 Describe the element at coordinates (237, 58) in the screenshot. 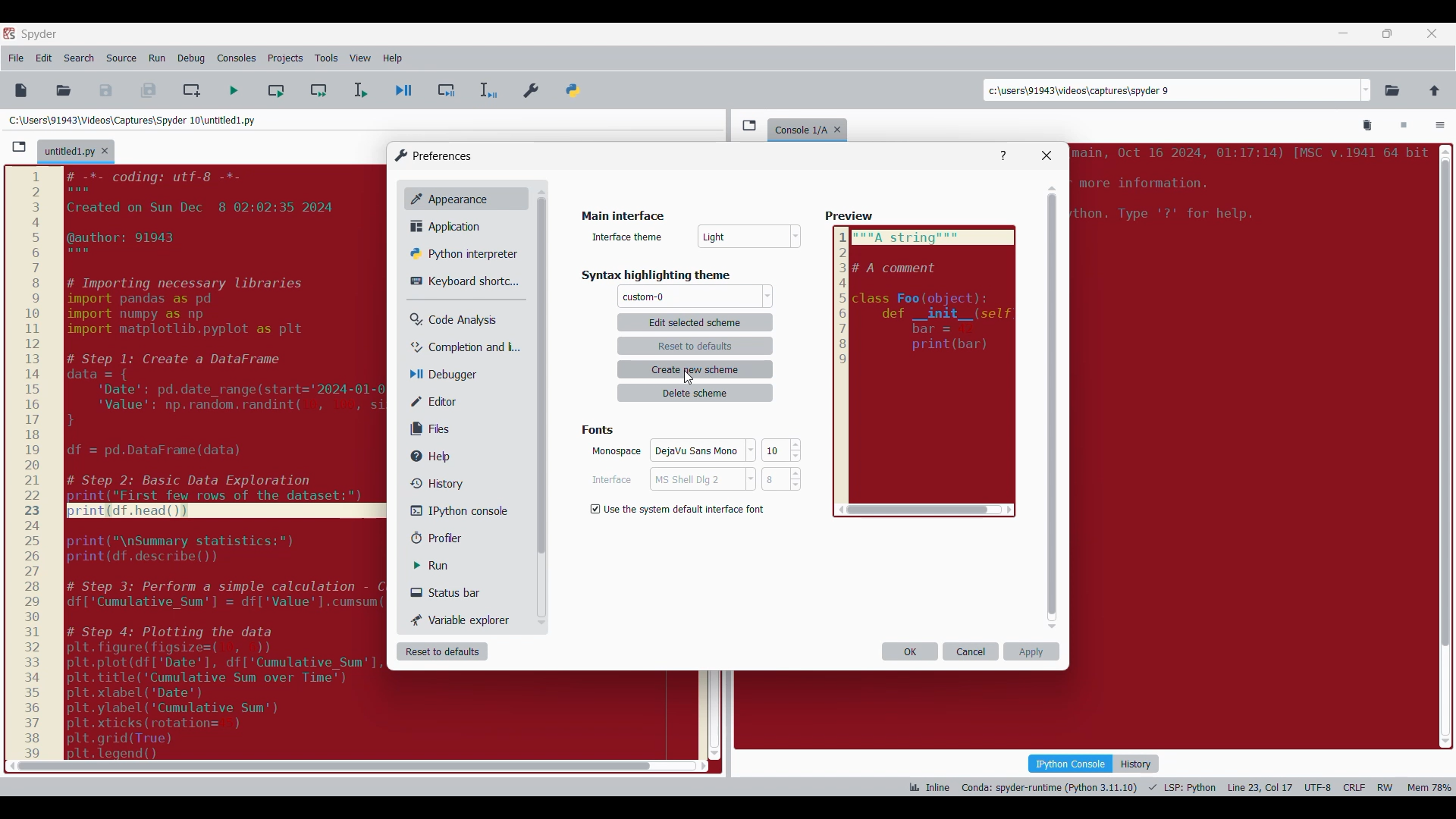

I see `Consoles menu` at that location.